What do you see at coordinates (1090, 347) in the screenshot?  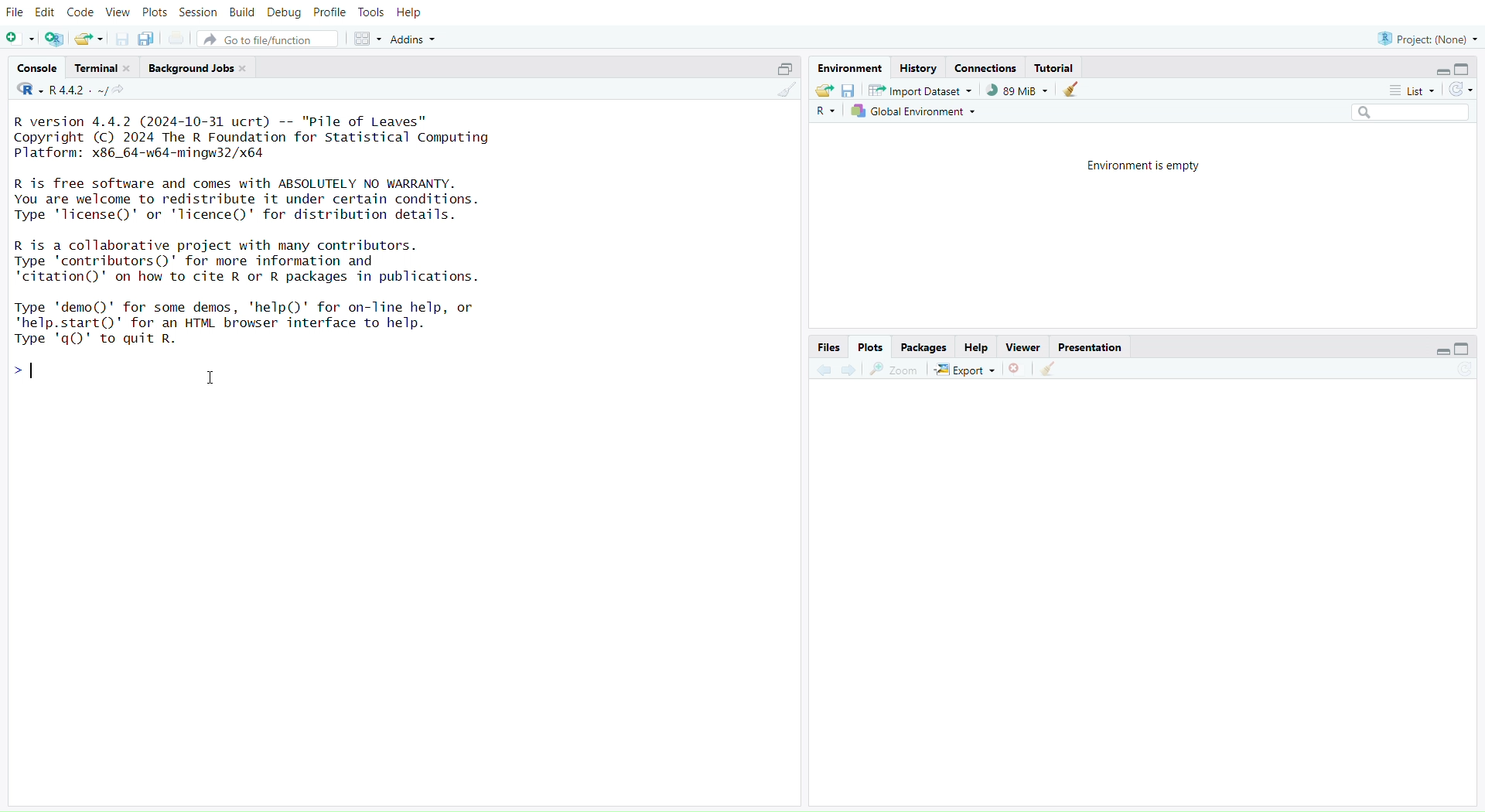 I see `Presentation` at bounding box center [1090, 347].